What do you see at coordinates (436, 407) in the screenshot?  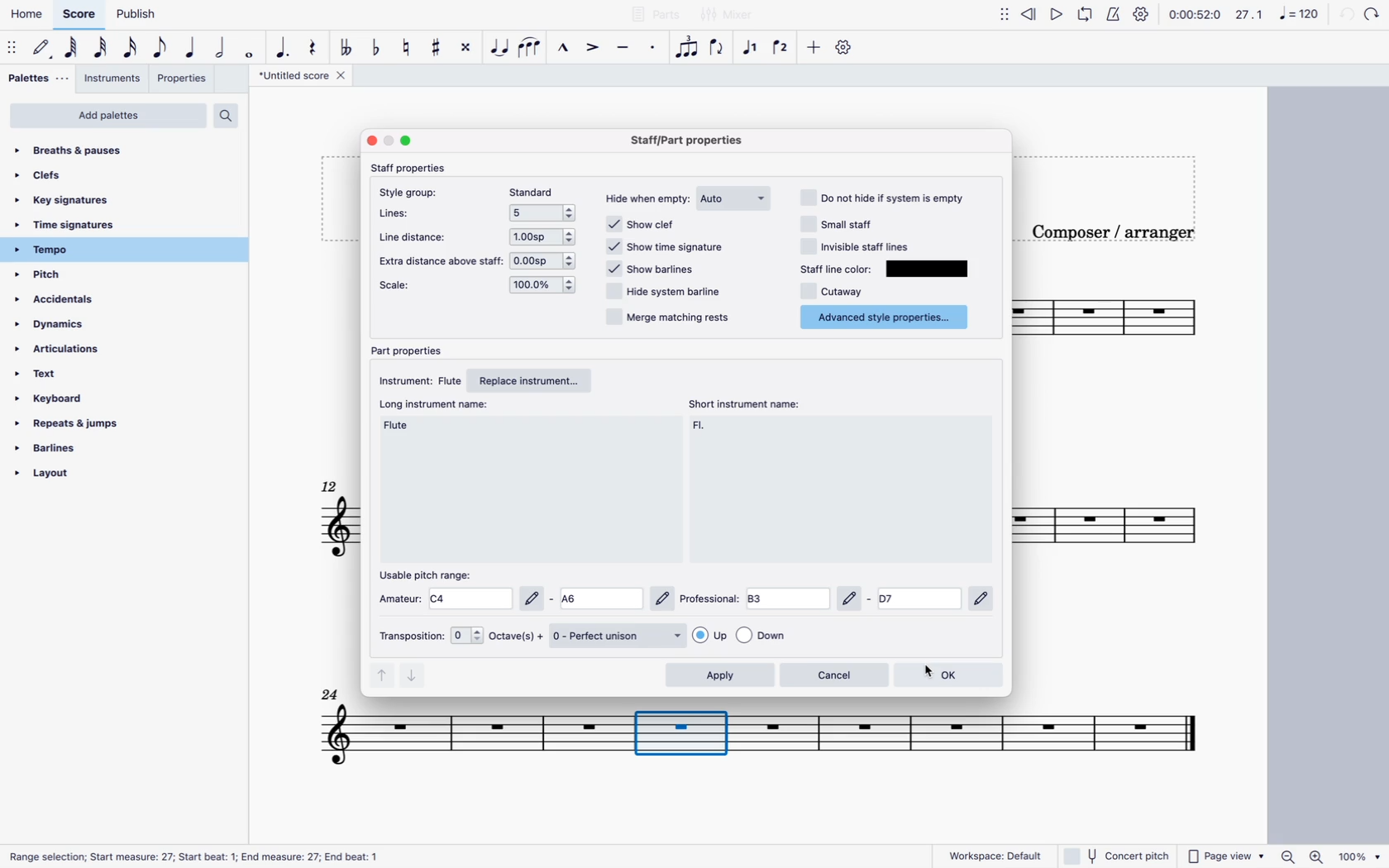 I see `long instrument name` at bounding box center [436, 407].